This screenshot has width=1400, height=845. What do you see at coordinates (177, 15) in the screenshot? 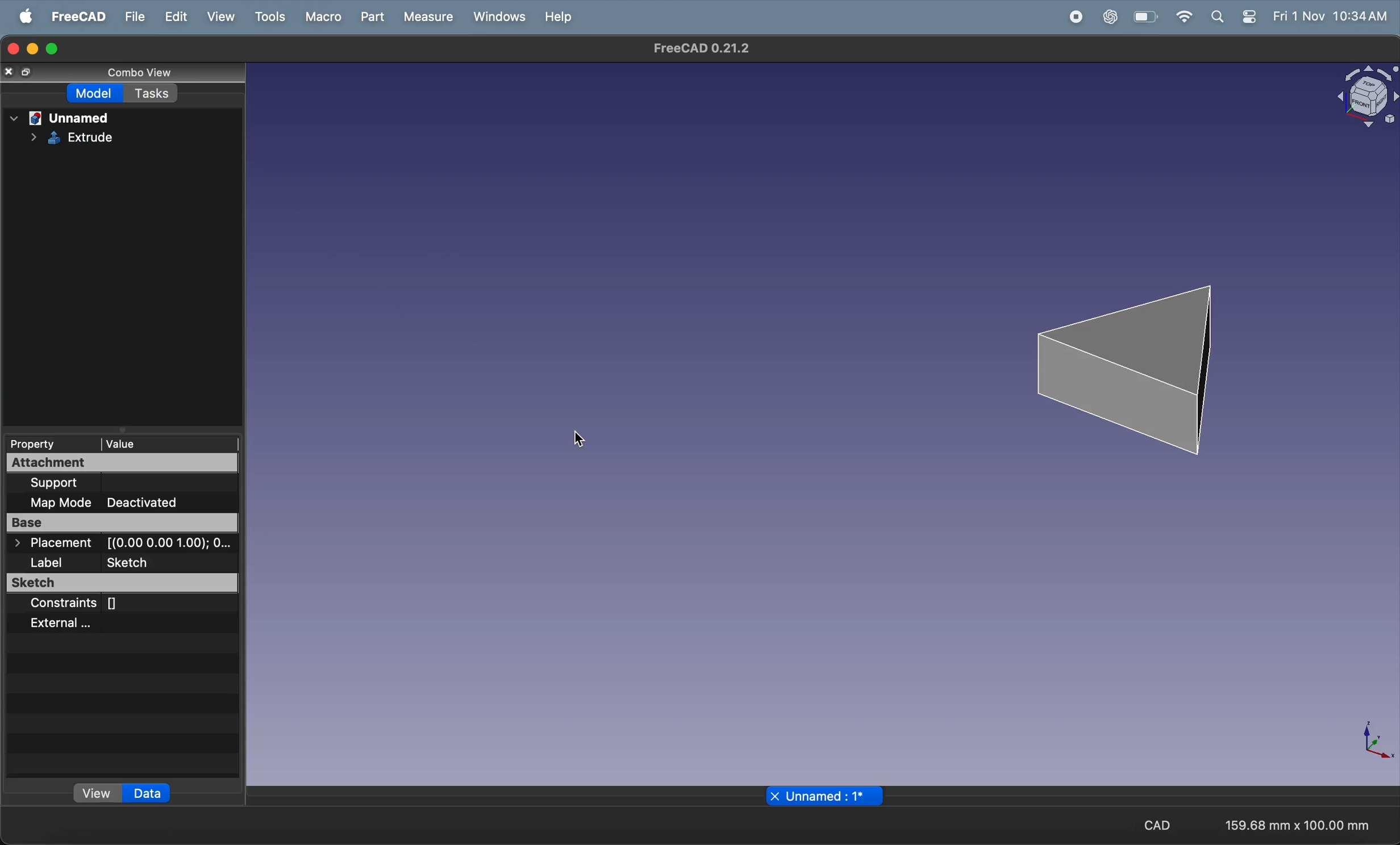
I see `edit` at bounding box center [177, 15].